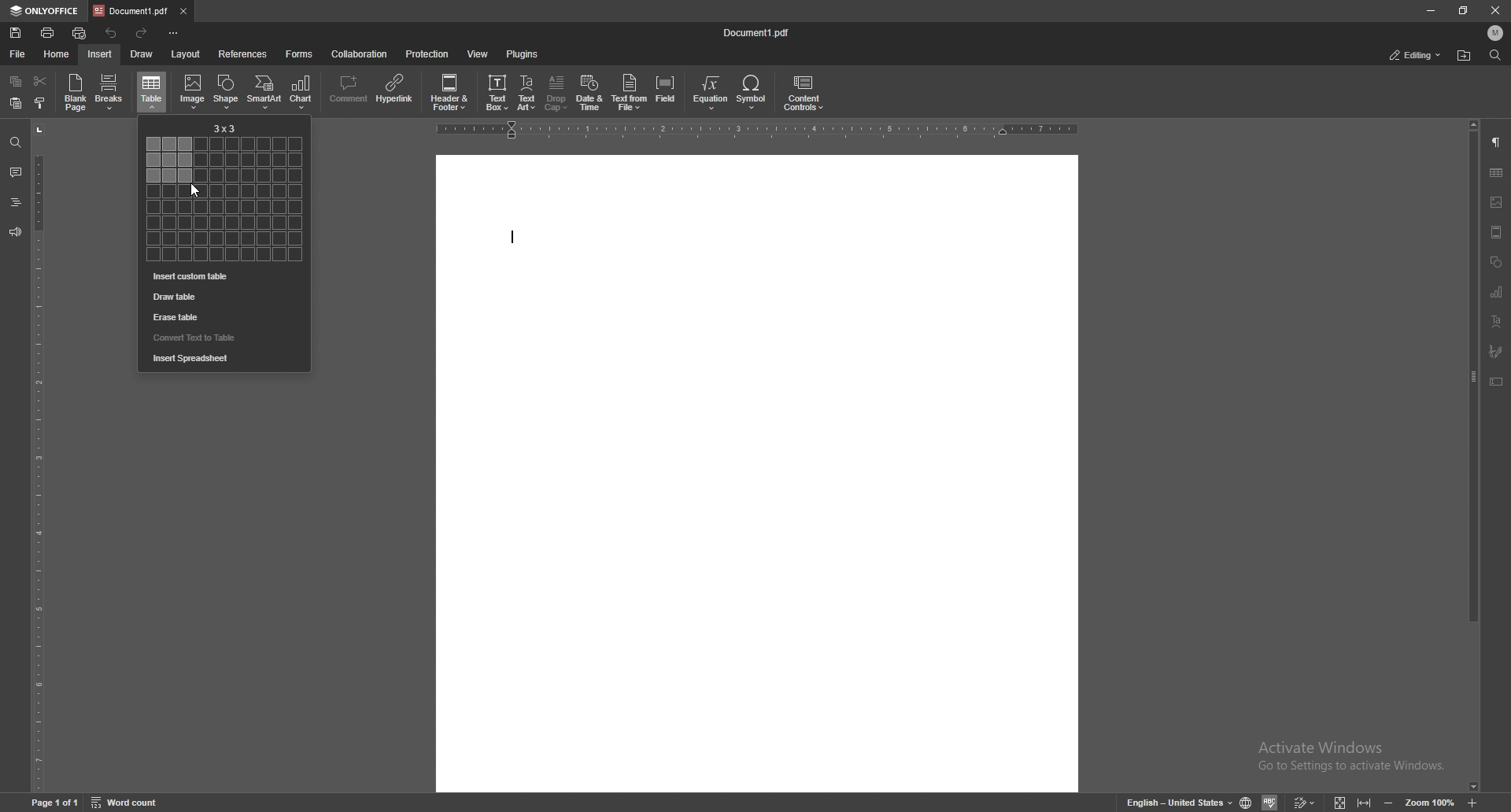 Image resolution: width=1511 pixels, height=812 pixels. I want to click on minimize, so click(1430, 11).